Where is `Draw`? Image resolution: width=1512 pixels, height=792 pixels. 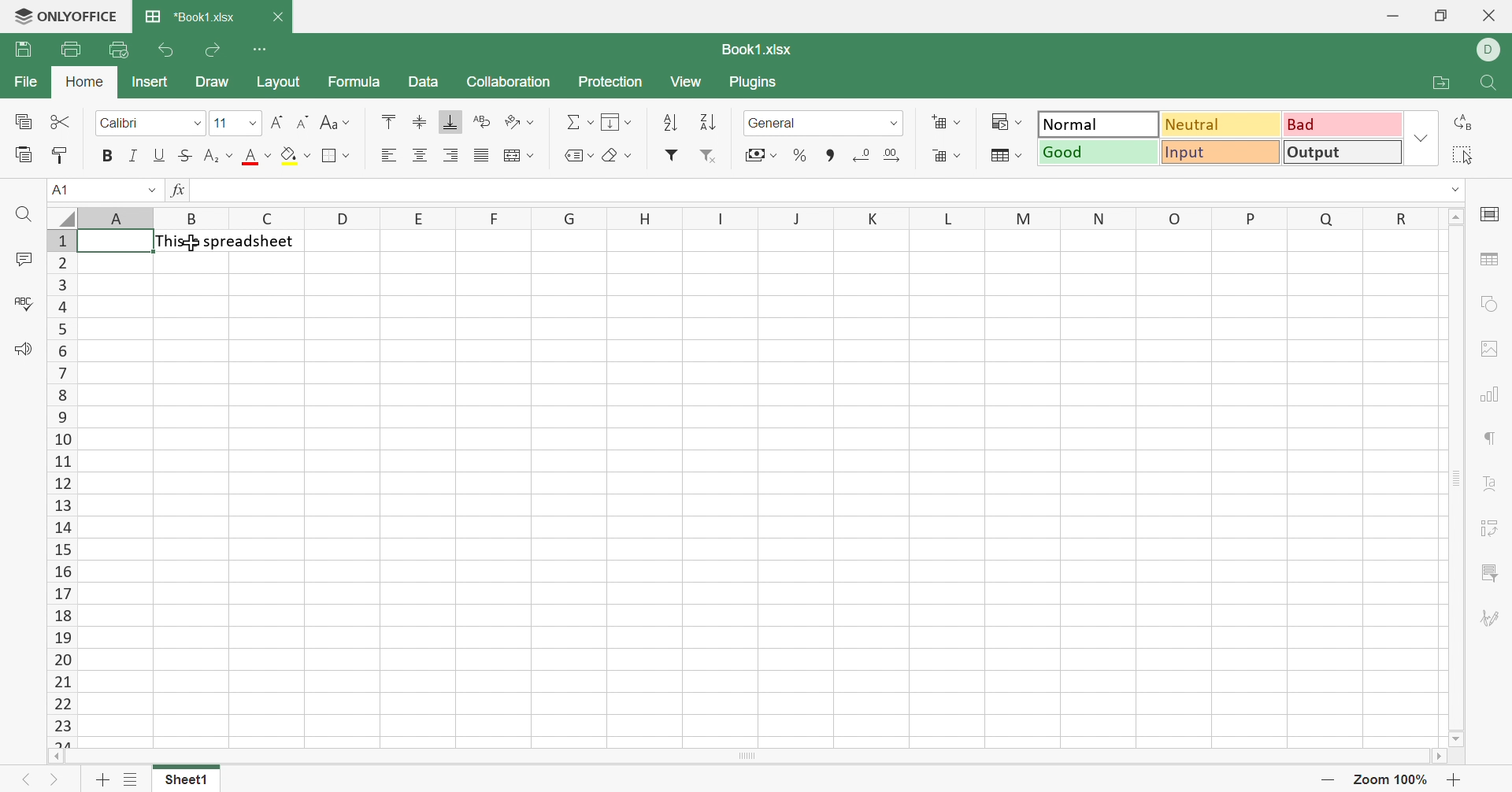
Draw is located at coordinates (211, 80).